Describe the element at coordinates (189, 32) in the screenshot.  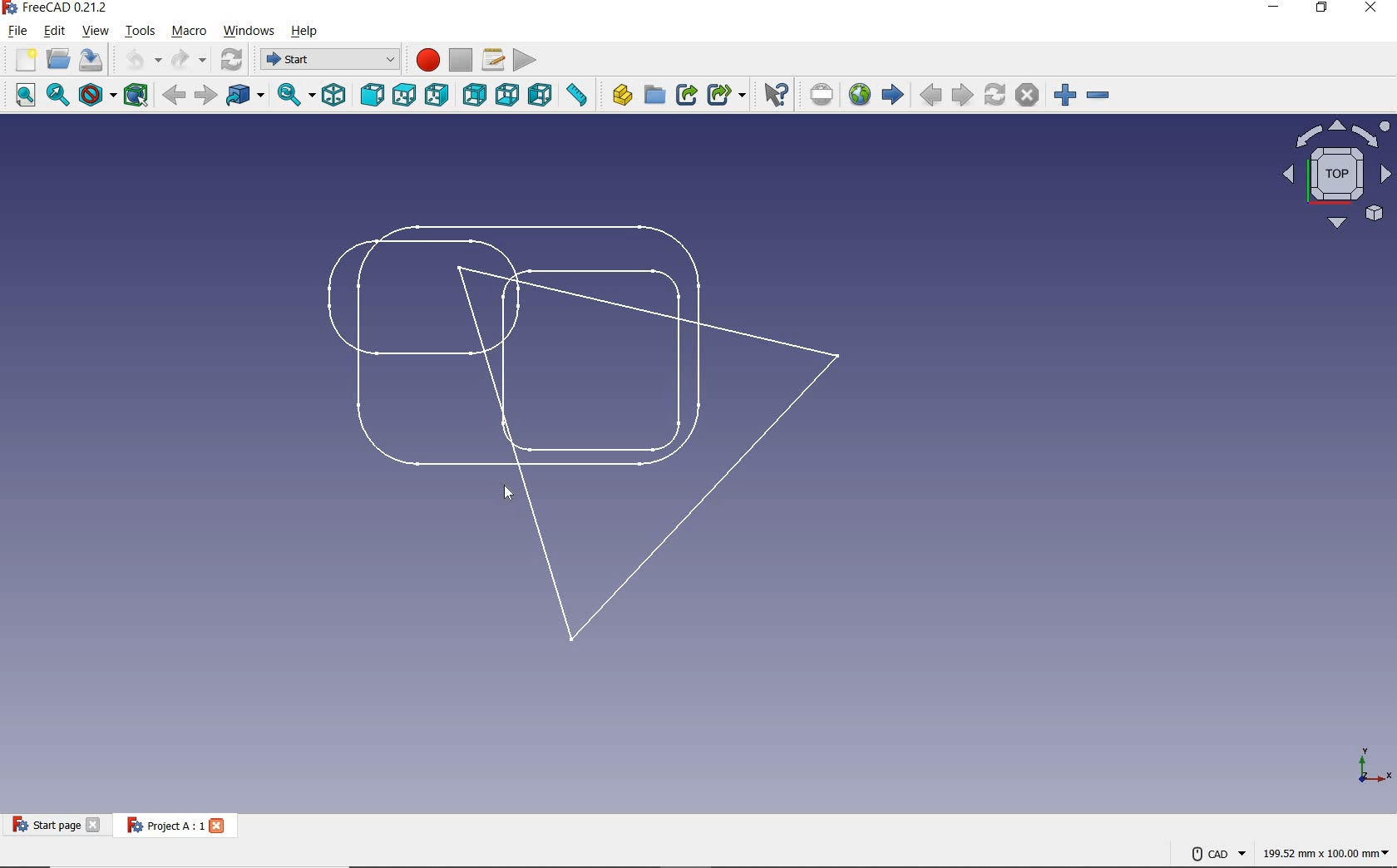
I see `MACRO` at that location.